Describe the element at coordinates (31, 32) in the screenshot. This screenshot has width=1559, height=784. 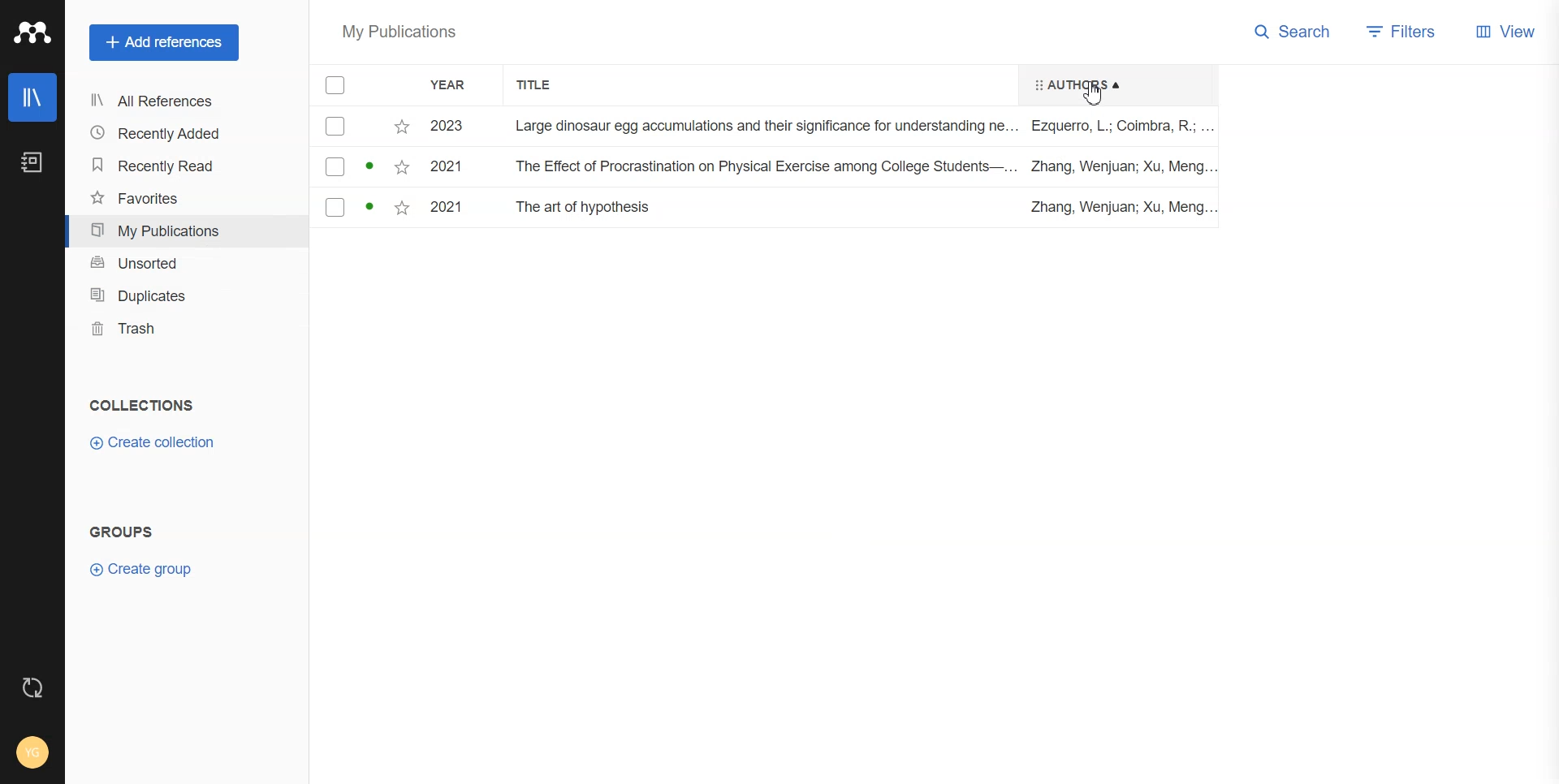
I see `Logo` at that location.